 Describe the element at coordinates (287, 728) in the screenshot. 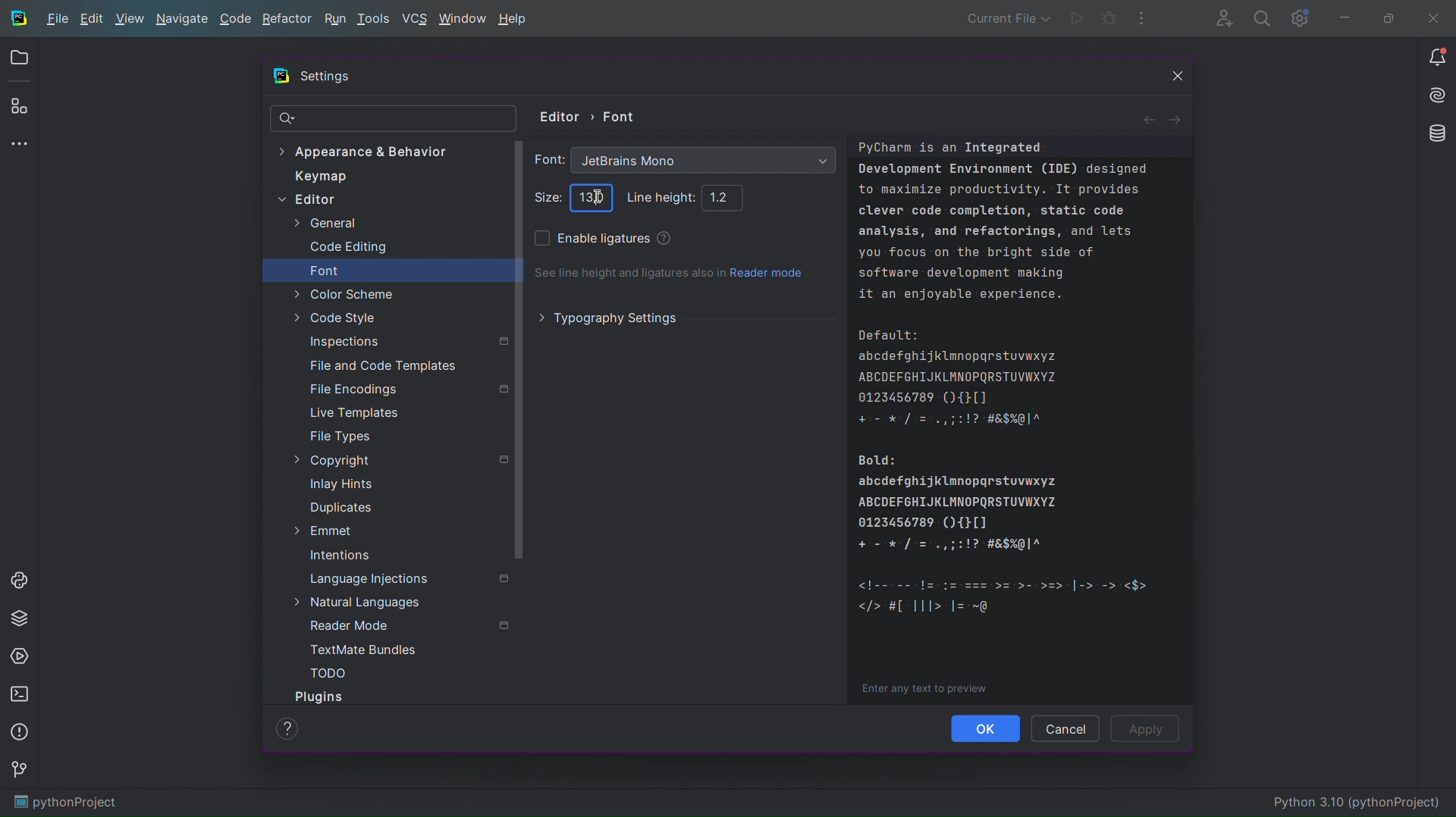

I see `Help` at that location.